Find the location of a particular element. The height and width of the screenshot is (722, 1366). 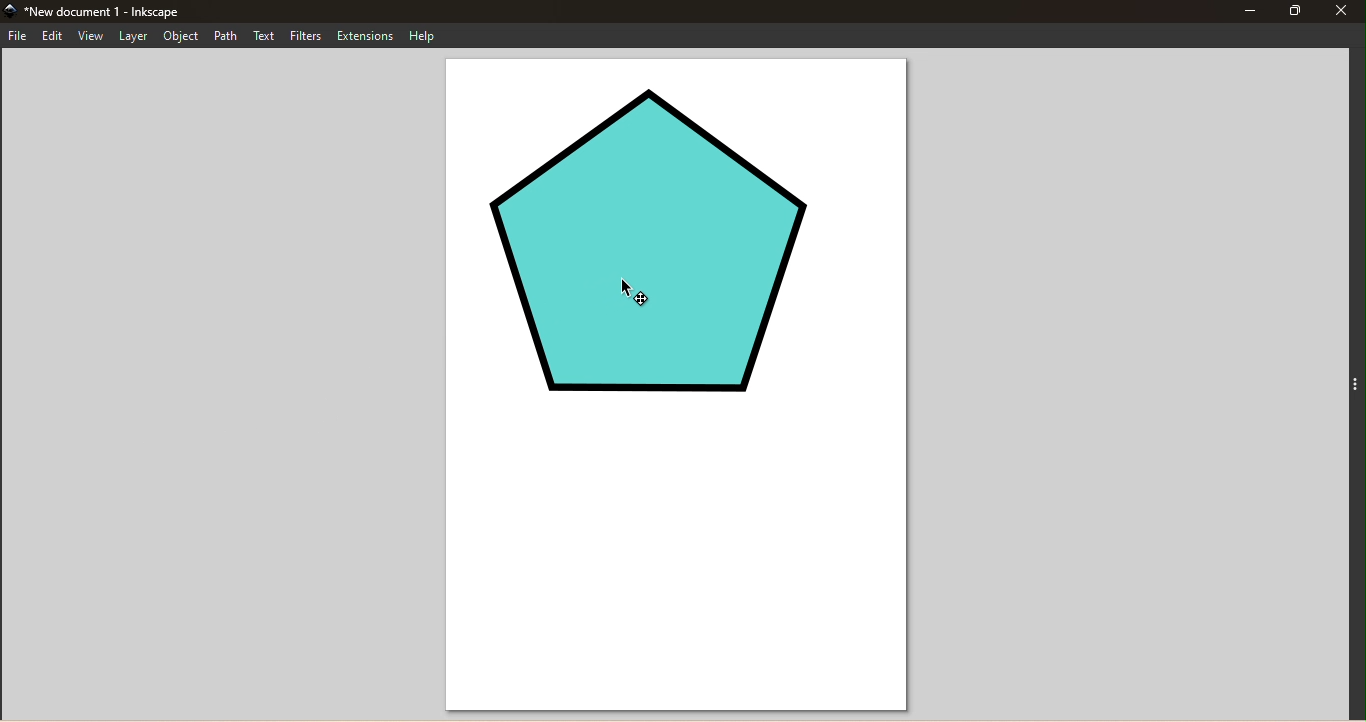

Edit is located at coordinates (51, 36).